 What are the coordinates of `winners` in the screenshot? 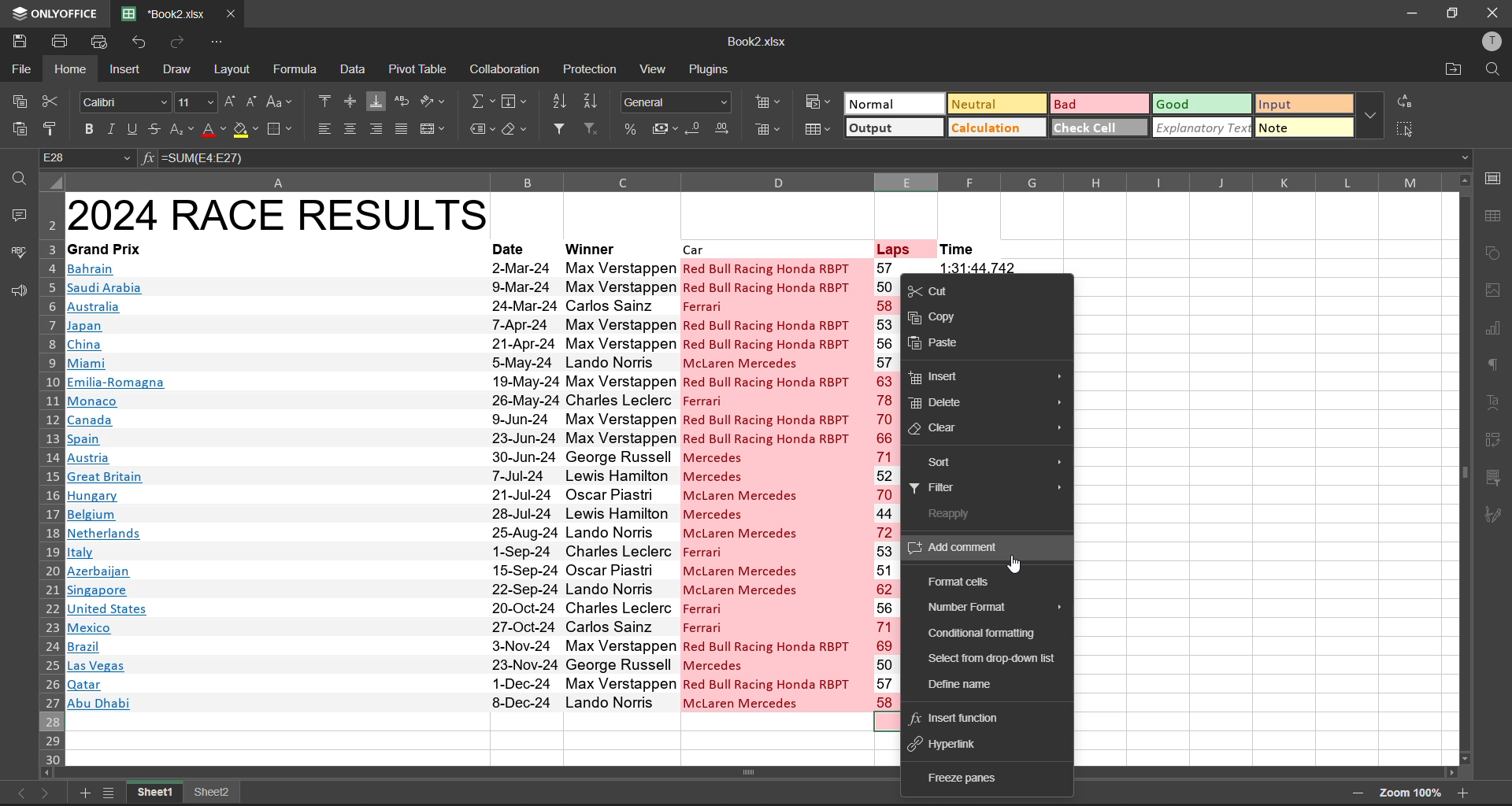 It's located at (619, 485).